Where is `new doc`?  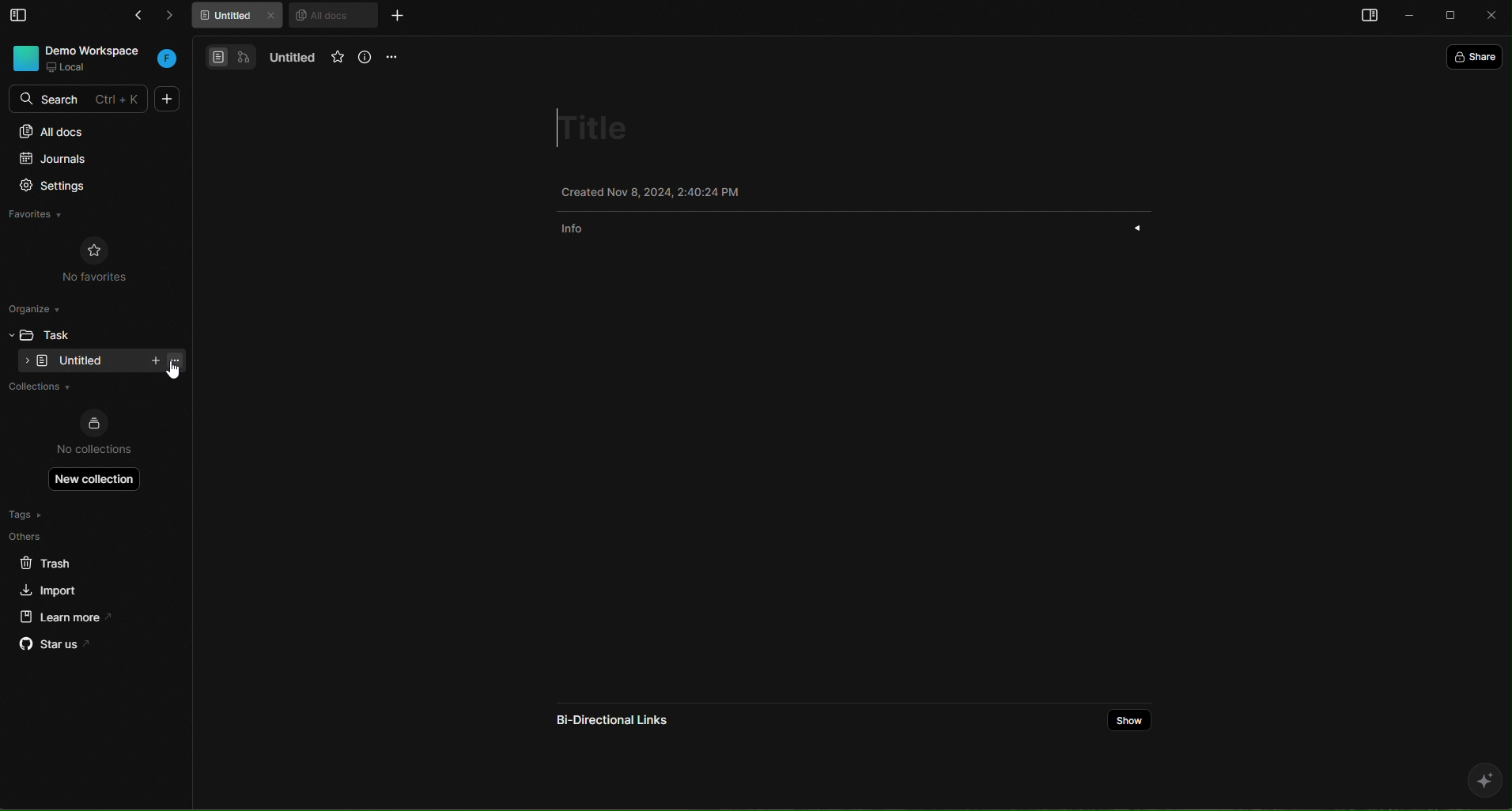 new doc is located at coordinates (168, 99).